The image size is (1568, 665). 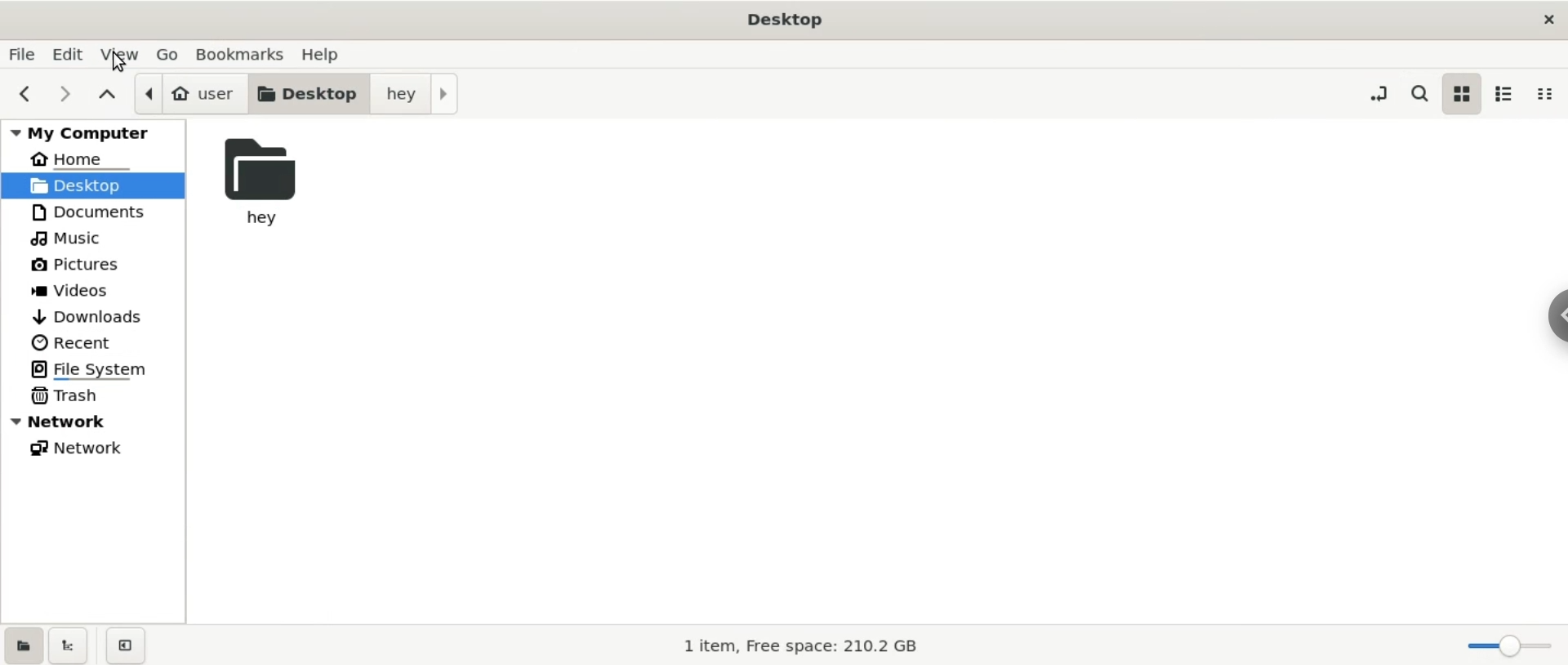 What do you see at coordinates (1379, 91) in the screenshot?
I see `toggle location entry` at bounding box center [1379, 91].